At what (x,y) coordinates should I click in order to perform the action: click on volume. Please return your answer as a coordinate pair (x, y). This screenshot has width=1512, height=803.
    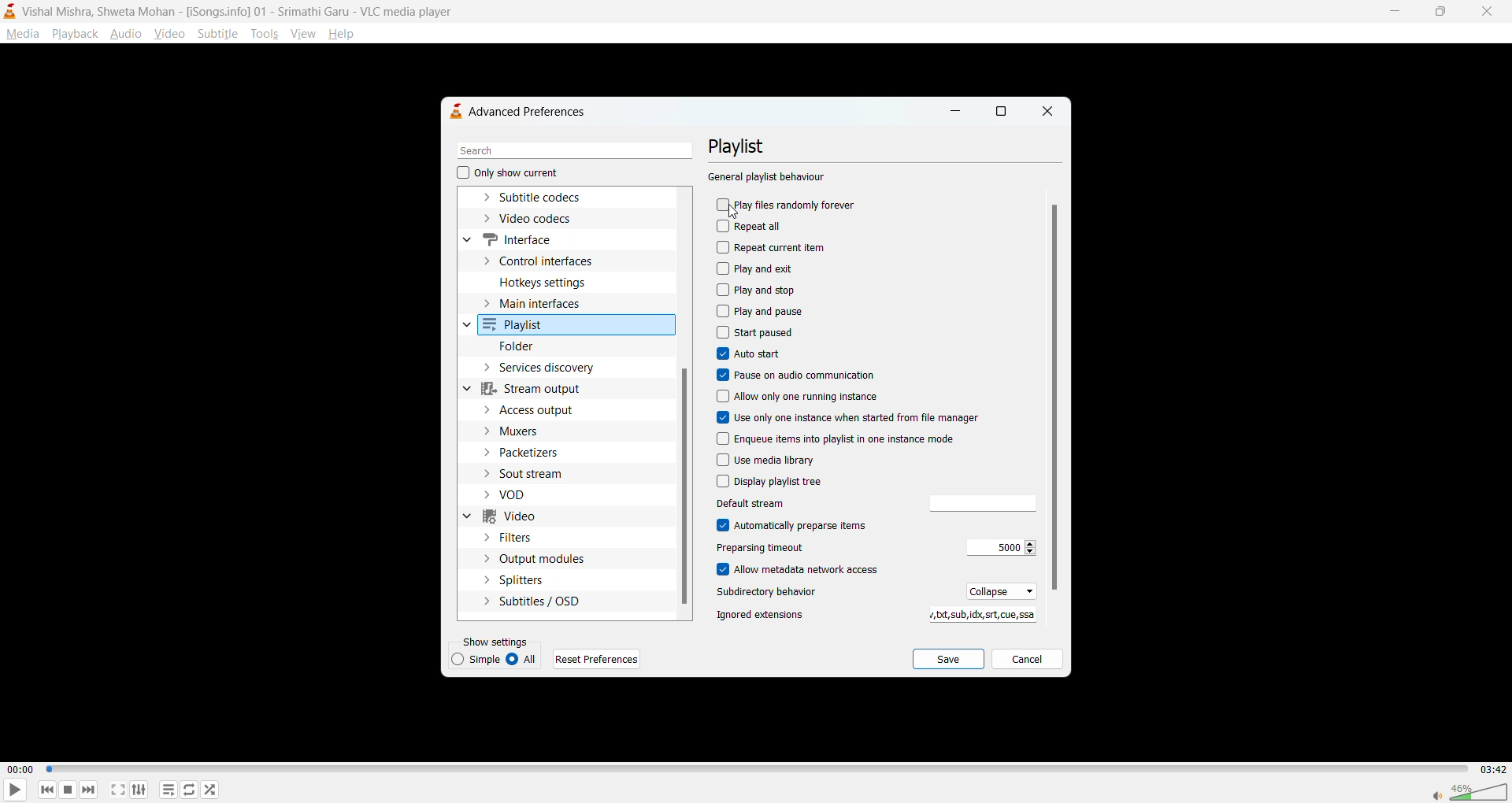
    Looking at the image, I should click on (1469, 790).